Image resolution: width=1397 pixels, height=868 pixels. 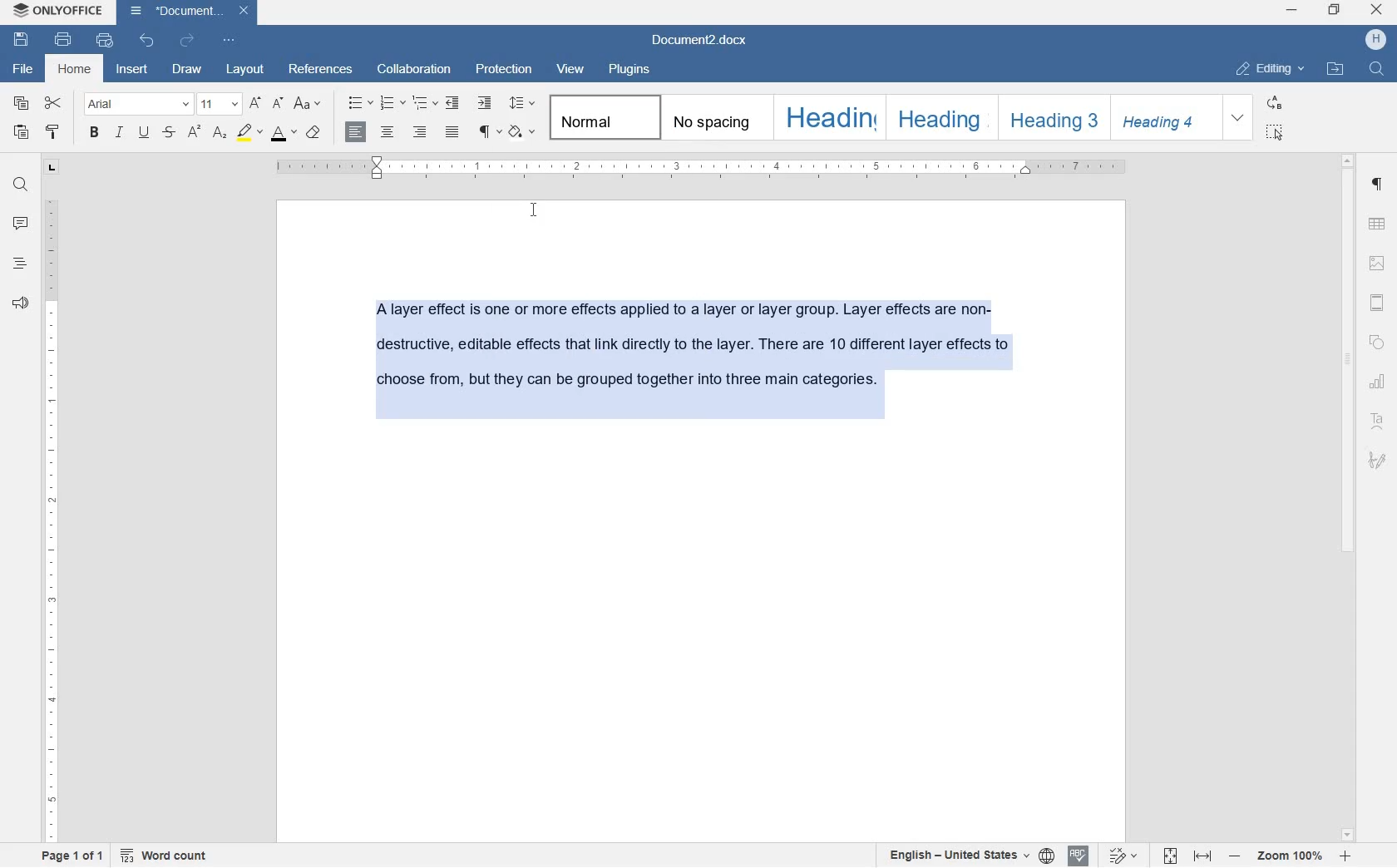 What do you see at coordinates (146, 133) in the screenshot?
I see `underline` at bounding box center [146, 133].